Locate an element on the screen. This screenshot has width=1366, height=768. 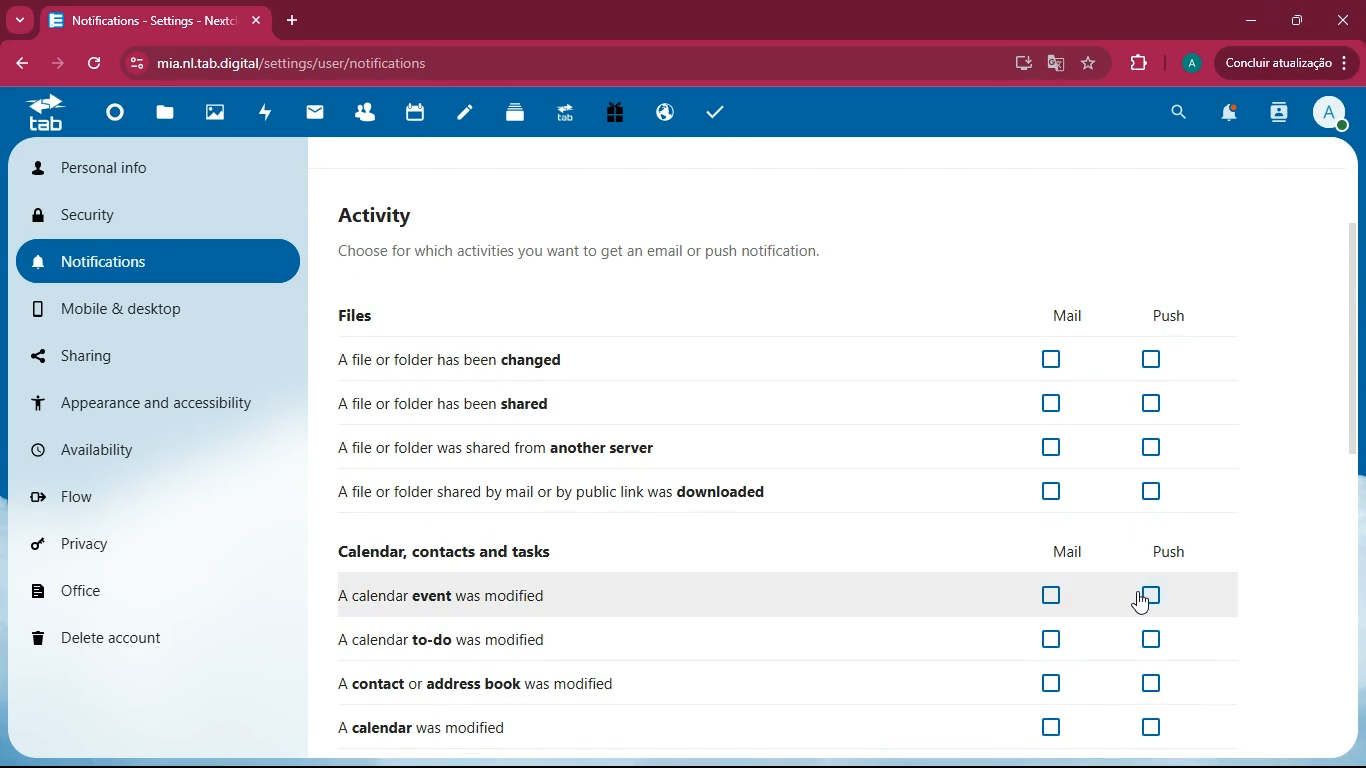
mail is located at coordinates (314, 115).